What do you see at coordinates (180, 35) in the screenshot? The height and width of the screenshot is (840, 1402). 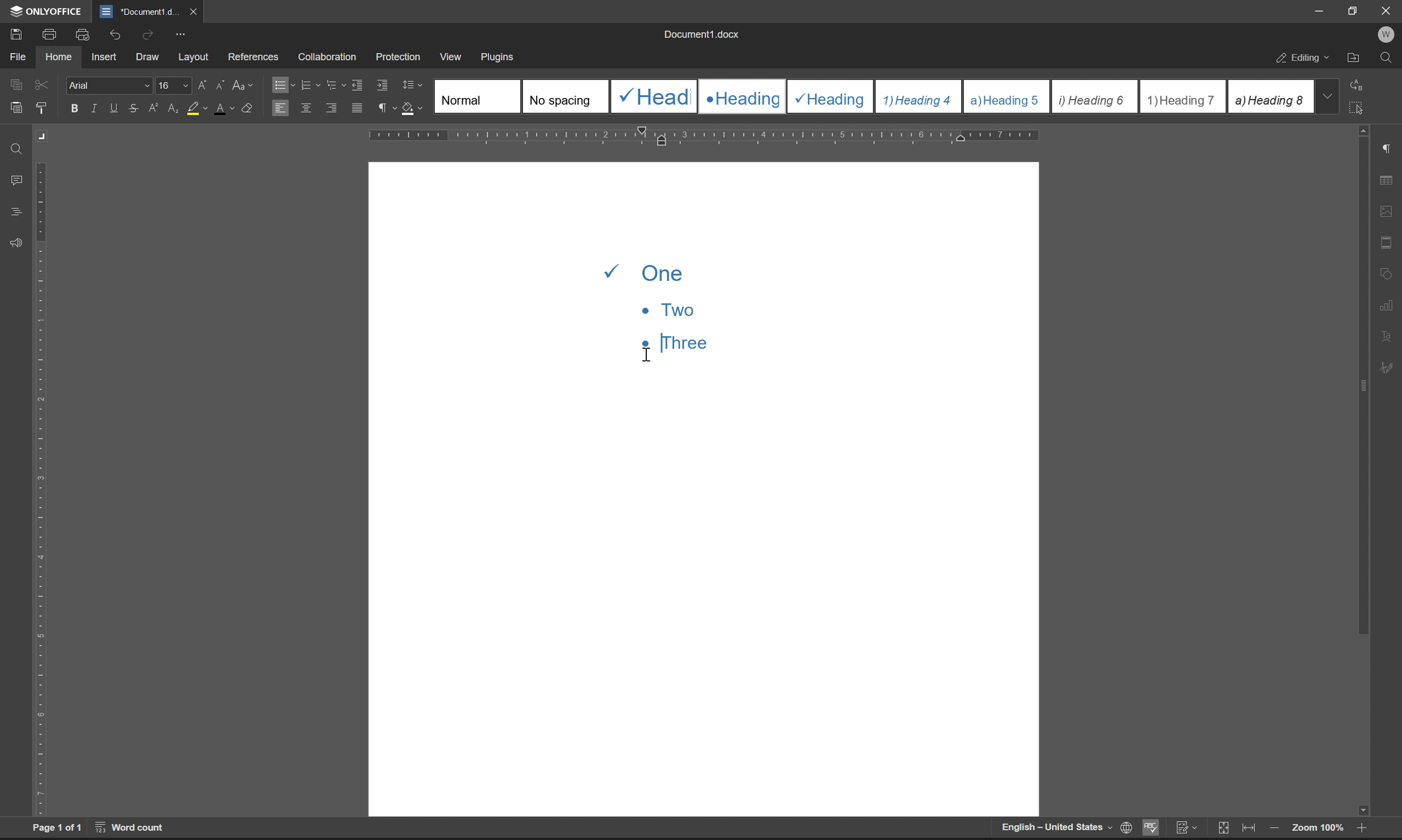 I see `customize quick access toolbar` at bounding box center [180, 35].